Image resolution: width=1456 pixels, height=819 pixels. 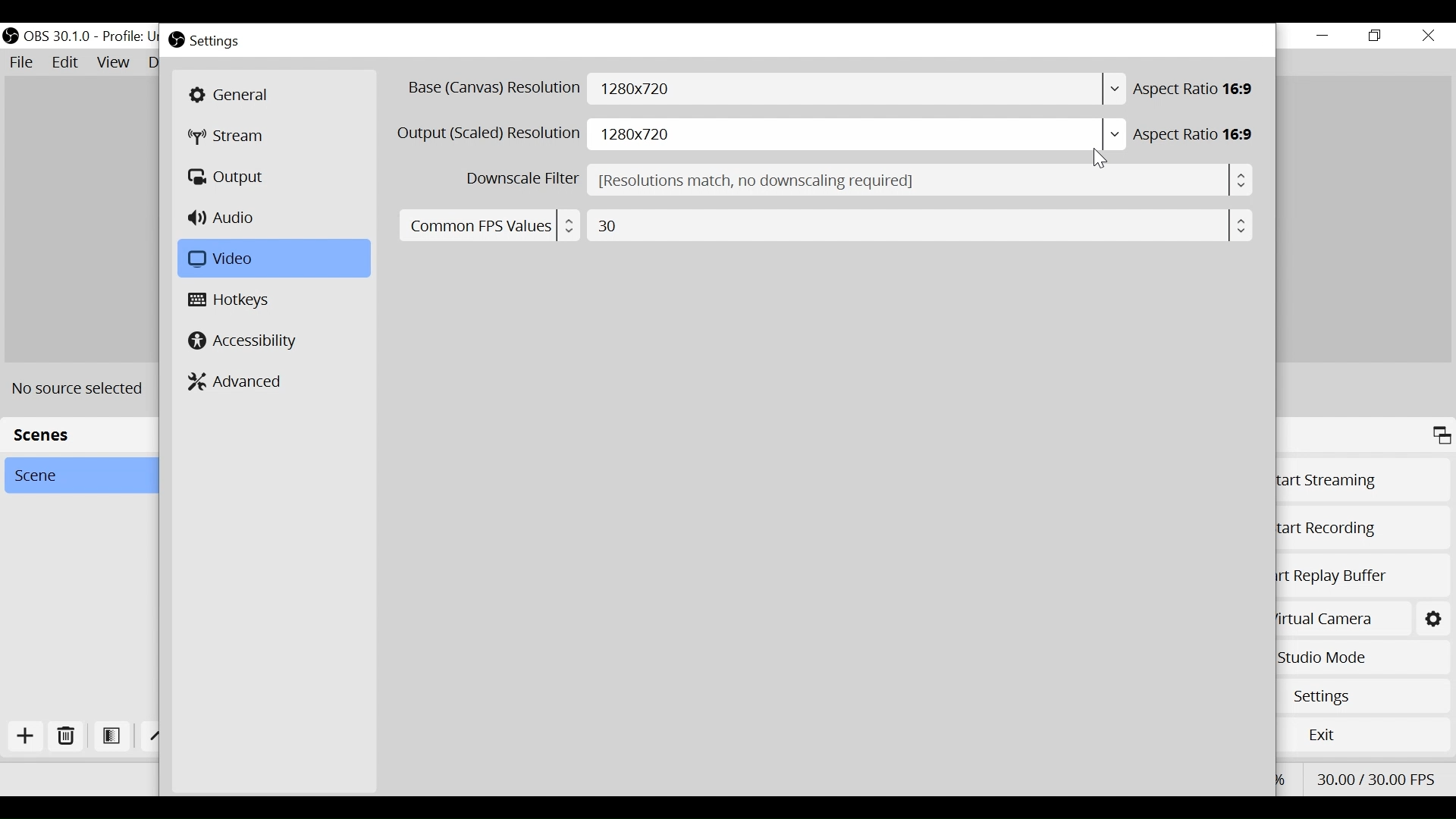 I want to click on OBS Studio Desktop Icon, so click(x=10, y=33).